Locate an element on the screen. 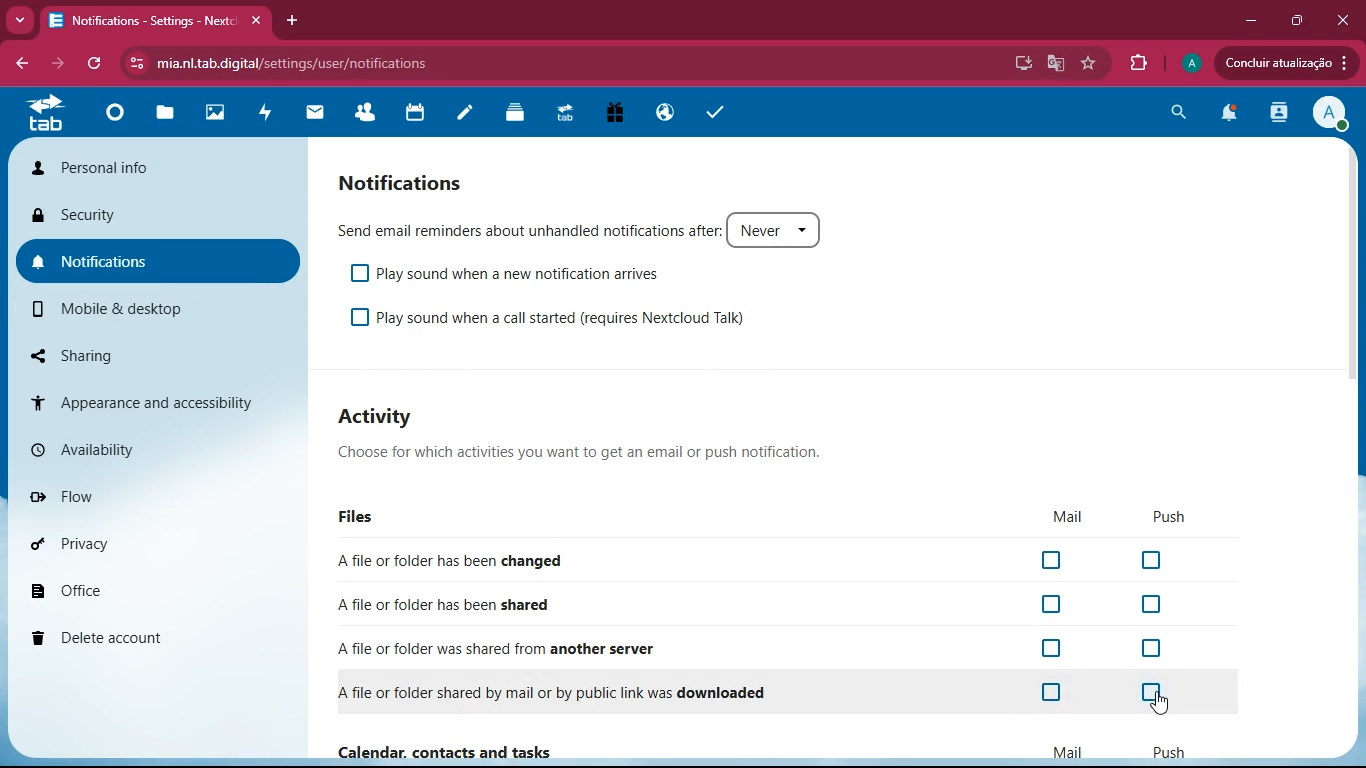 This screenshot has width=1366, height=768. mail is located at coordinates (312, 116).